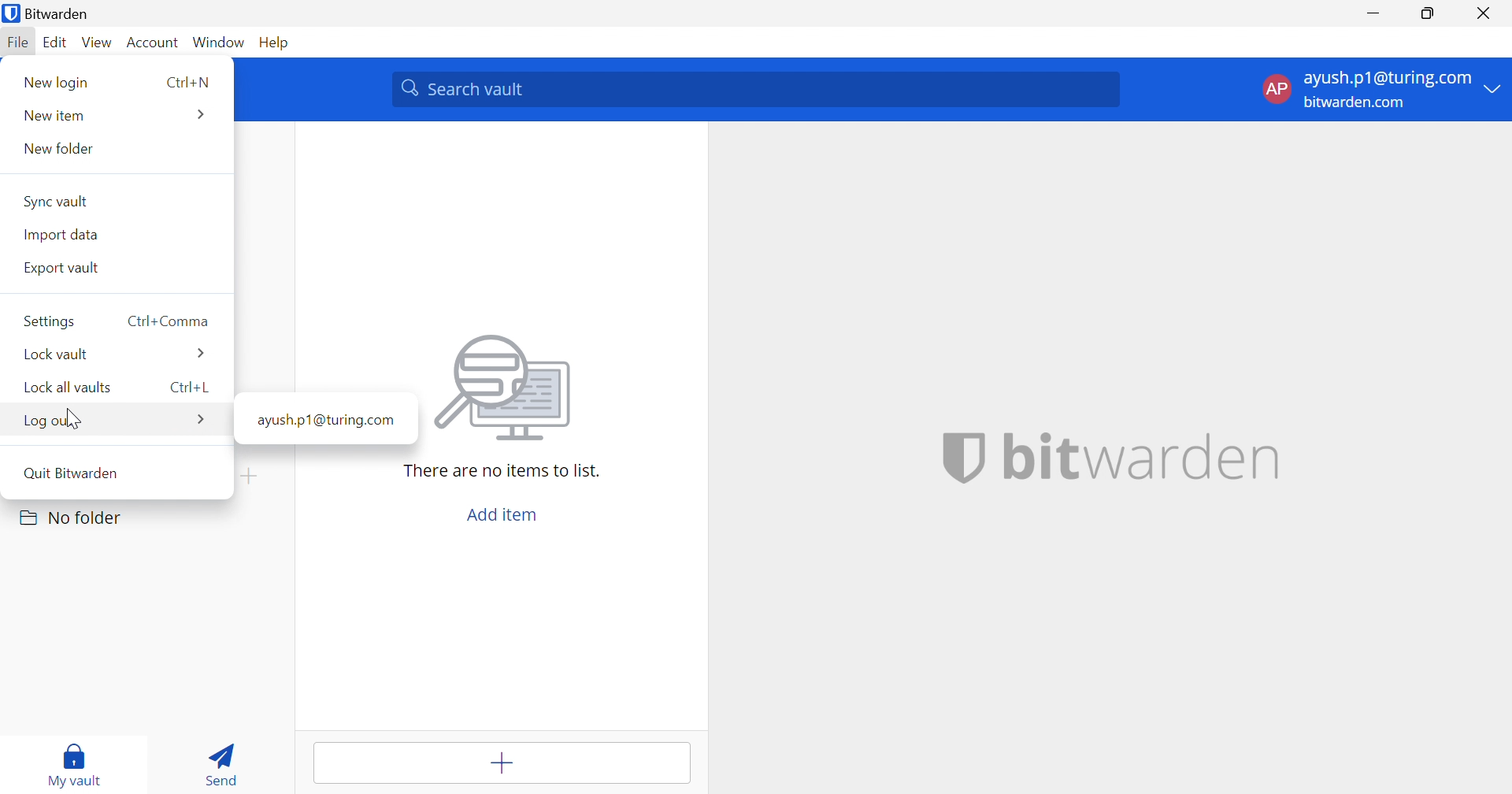 Image resolution: width=1512 pixels, height=794 pixels. What do you see at coordinates (17, 43) in the screenshot?
I see `File` at bounding box center [17, 43].